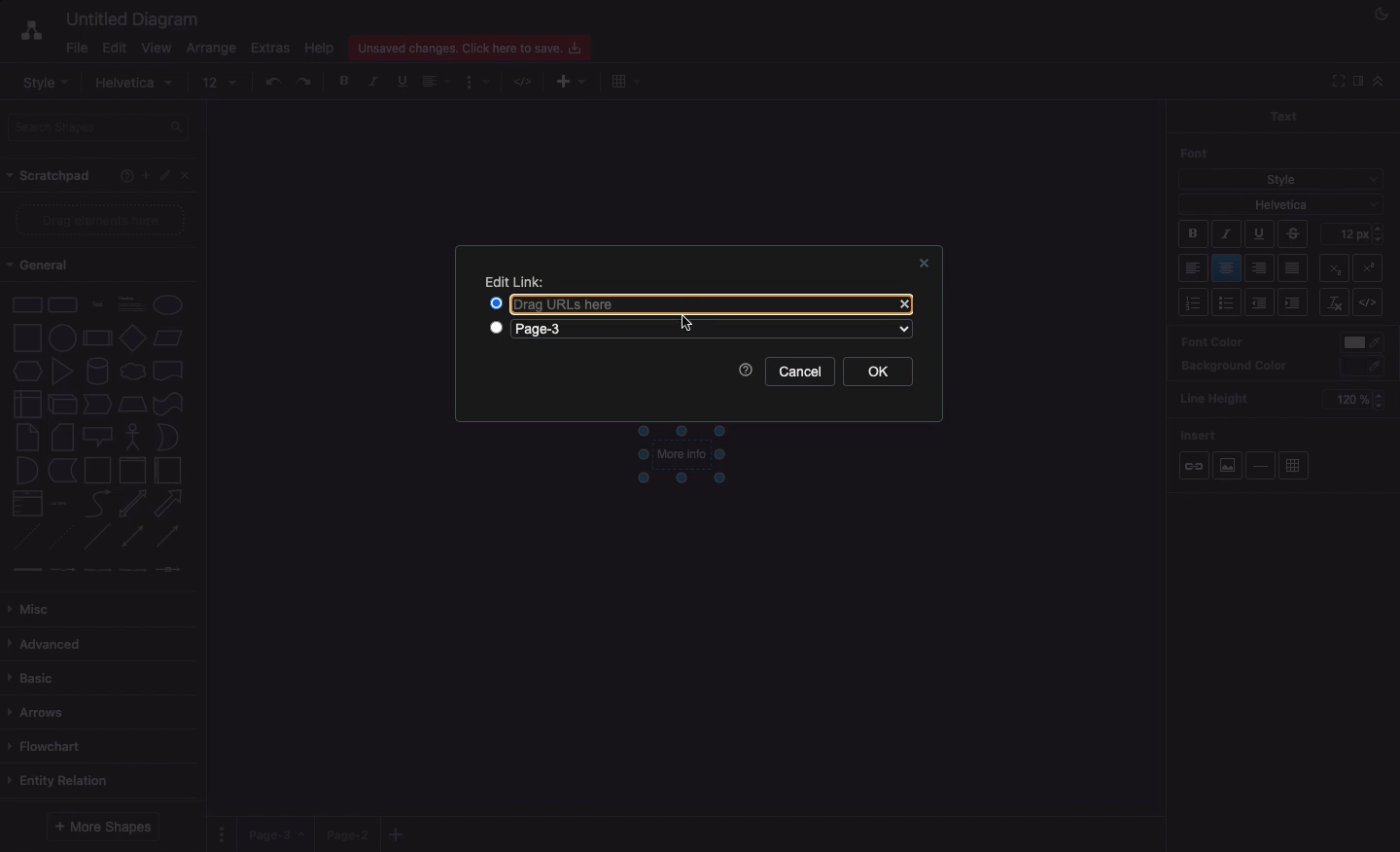 This screenshot has width=1400, height=852. Describe the element at coordinates (590, 330) in the screenshot. I see `Page-3` at that location.